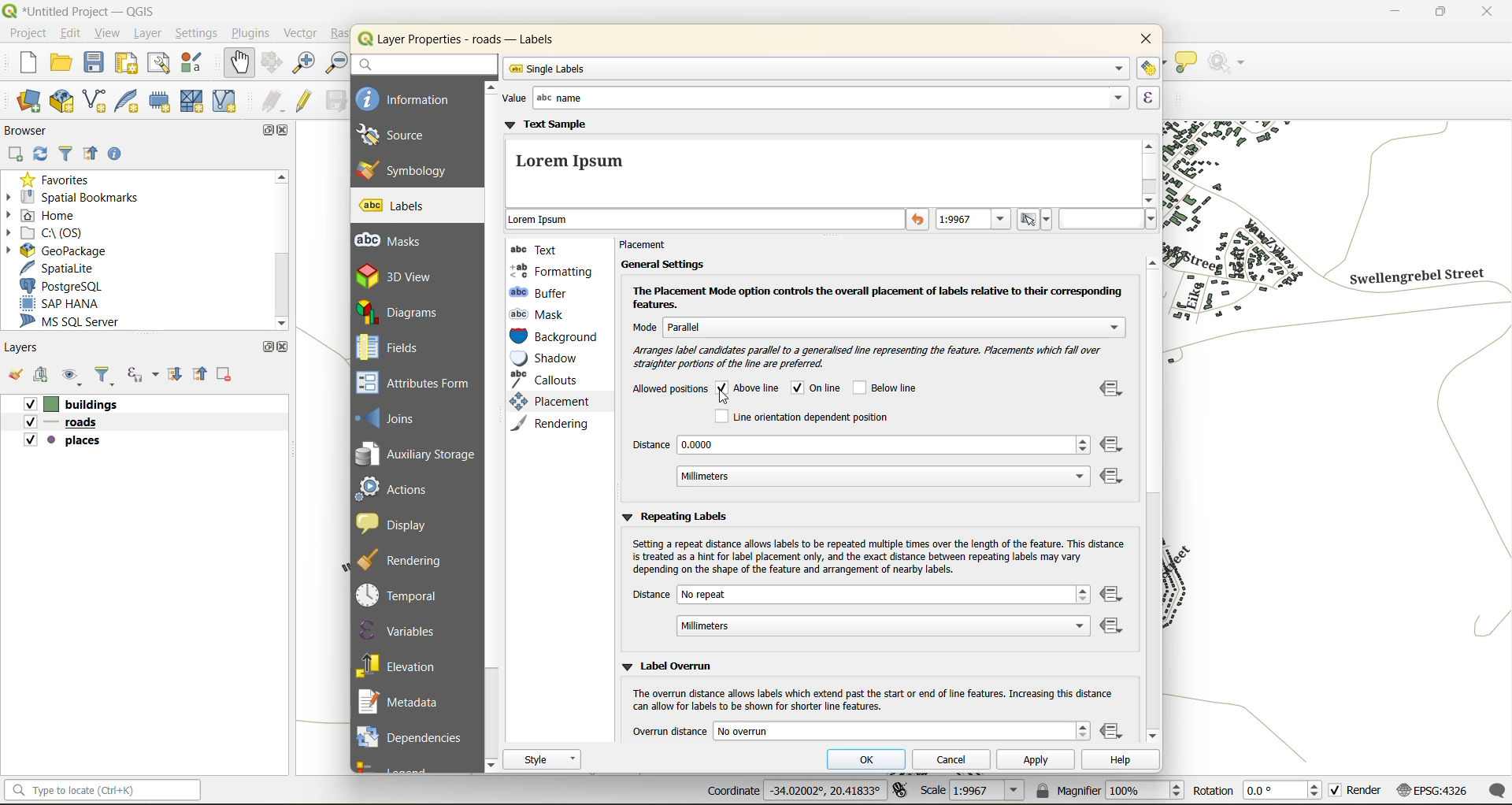 Image resolution: width=1512 pixels, height=805 pixels. What do you see at coordinates (287, 349) in the screenshot?
I see `close` at bounding box center [287, 349].